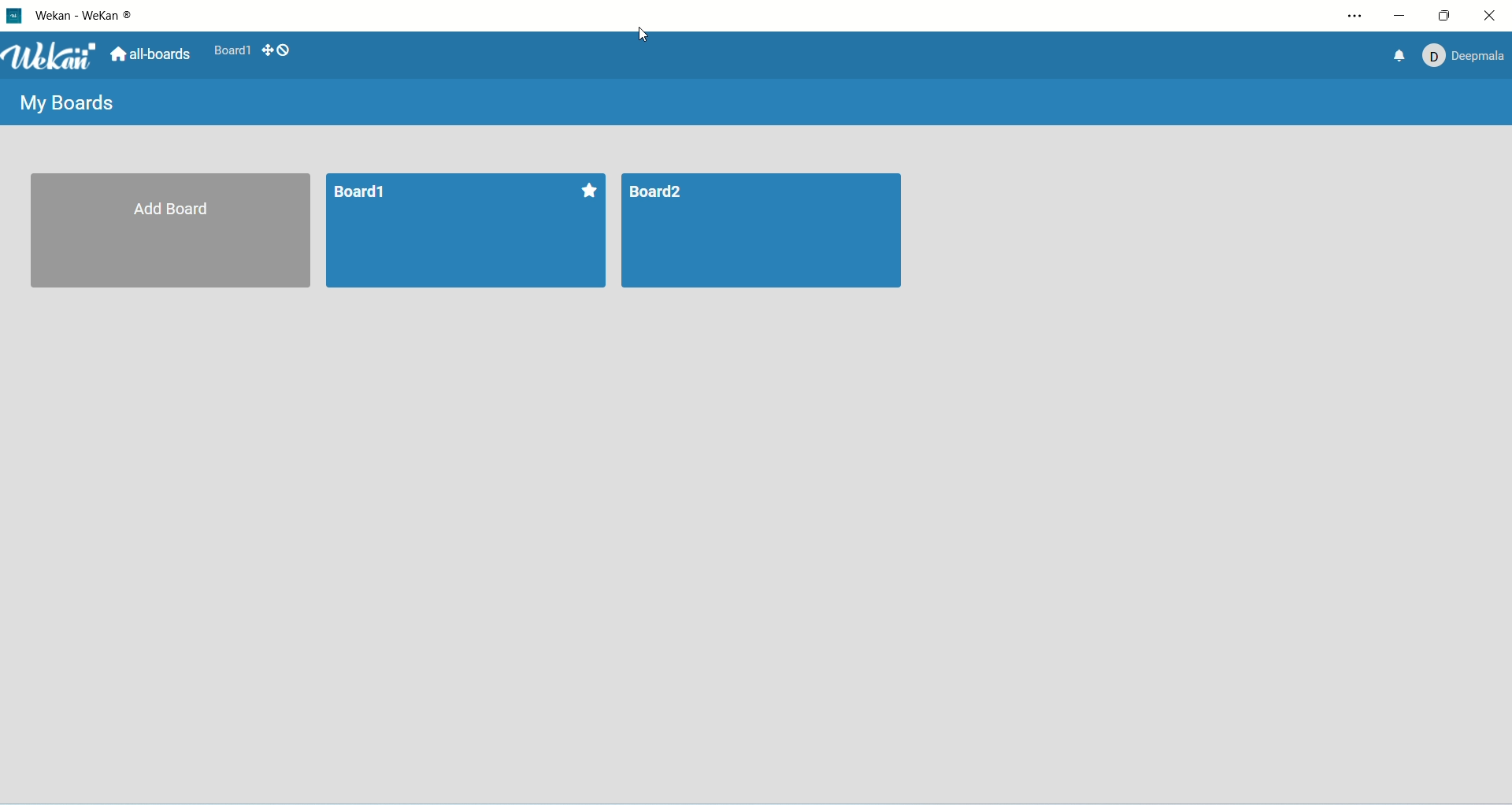  I want to click on title, so click(85, 17).